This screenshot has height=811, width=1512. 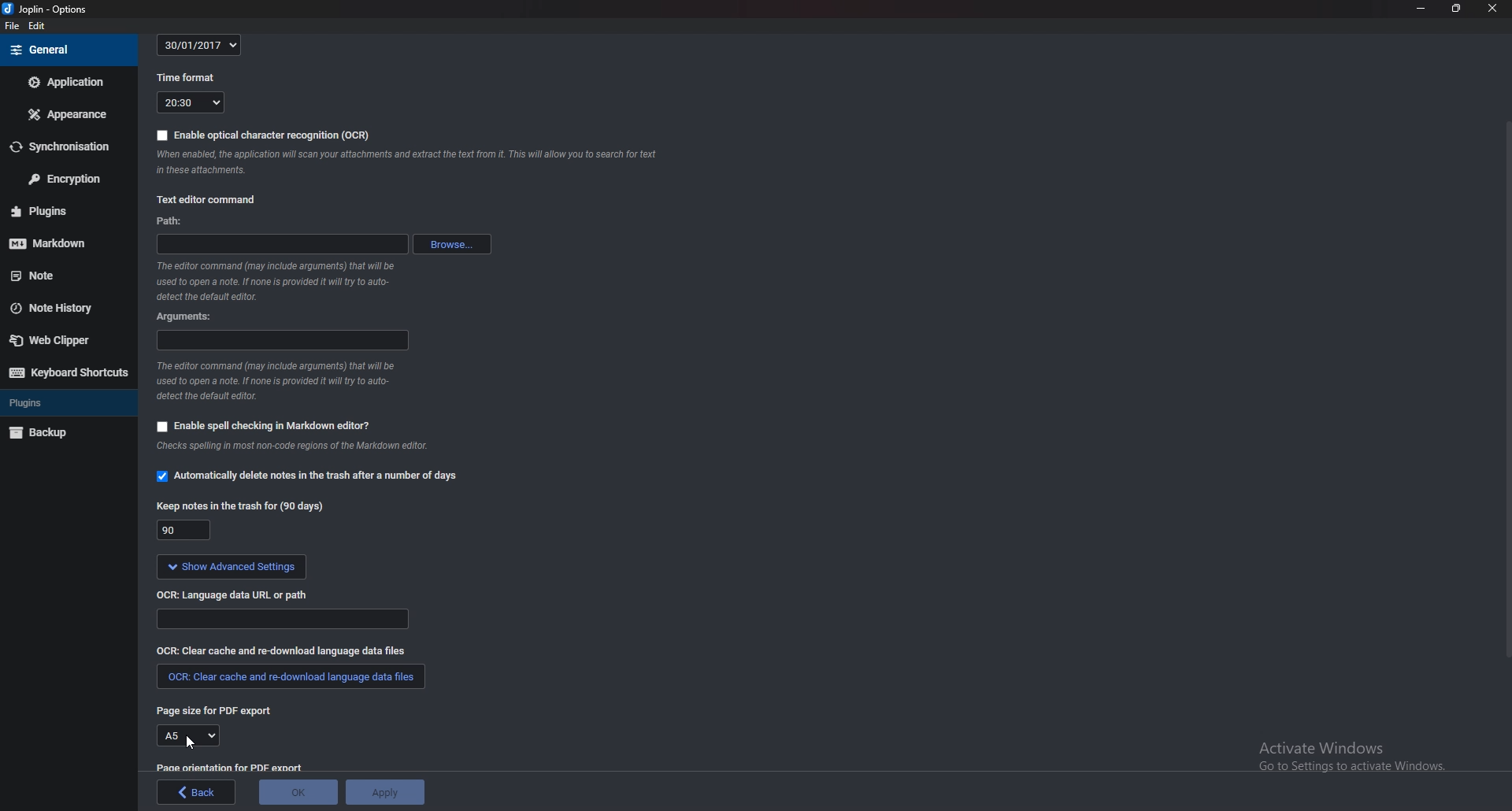 I want to click on Page orientation for pdf export, so click(x=232, y=767).